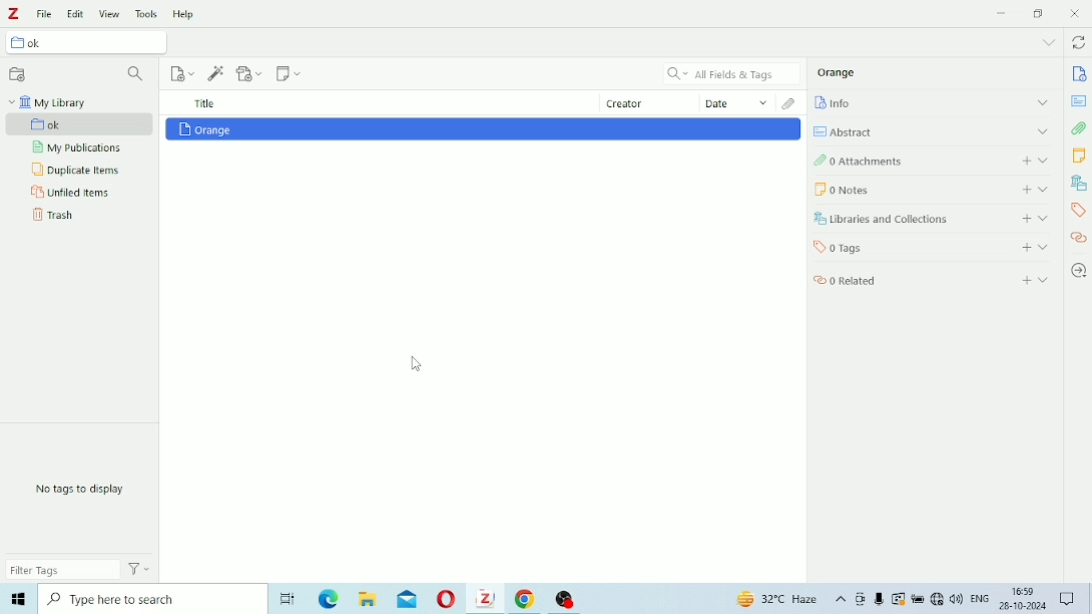  I want to click on Filter Tags, so click(63, 569).